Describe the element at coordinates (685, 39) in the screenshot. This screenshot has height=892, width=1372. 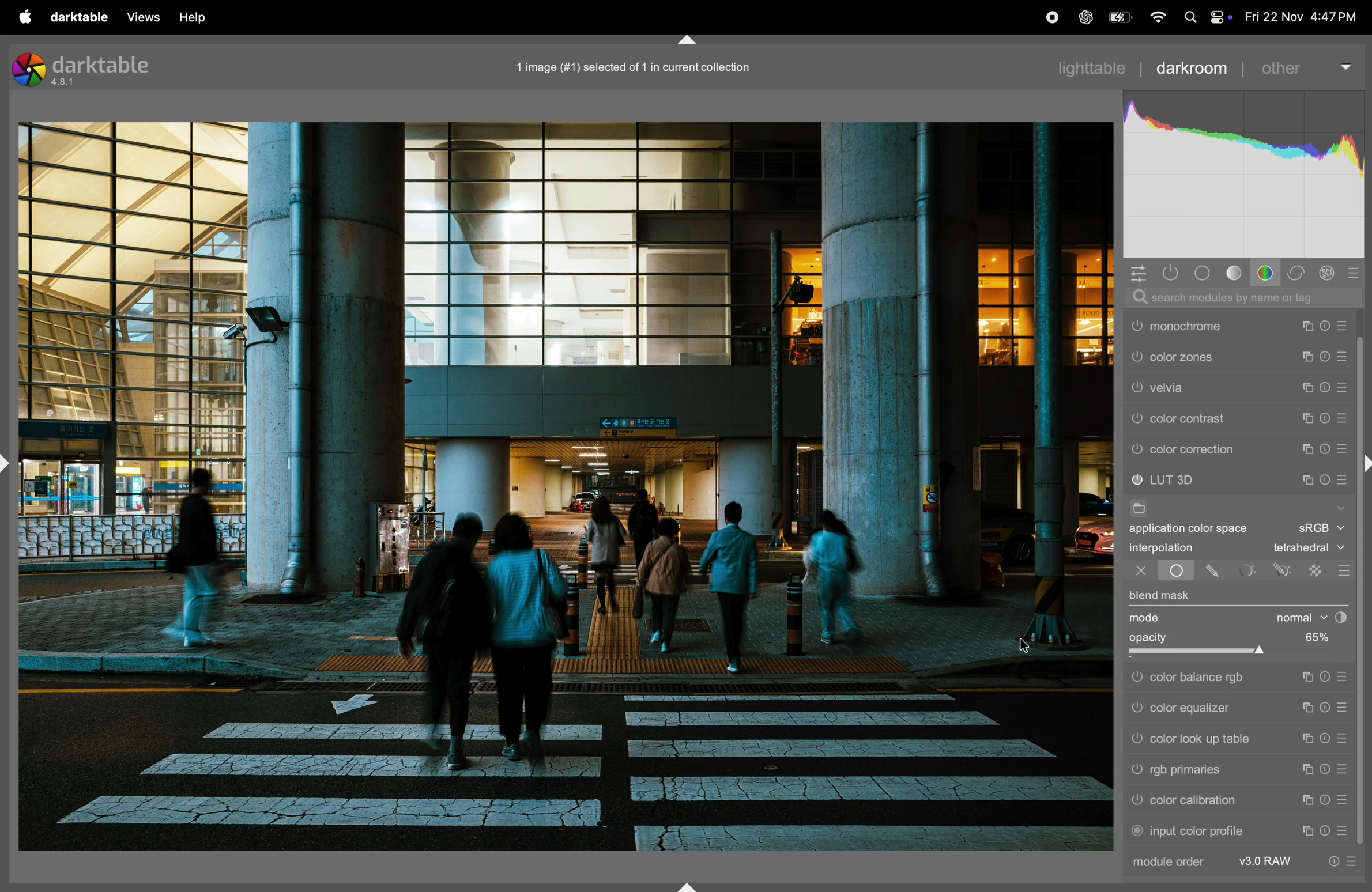
I see `shift+ctrl+t` at that location.